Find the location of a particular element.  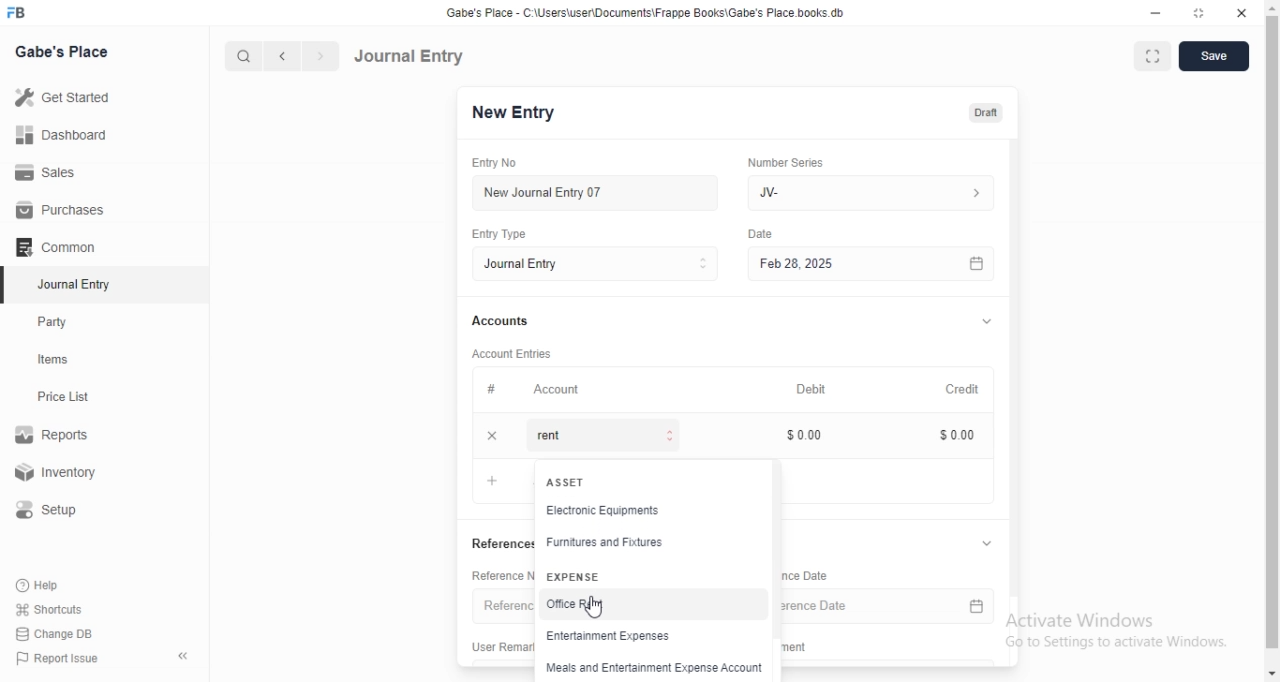

cursor is located at coordinates (596, 607).